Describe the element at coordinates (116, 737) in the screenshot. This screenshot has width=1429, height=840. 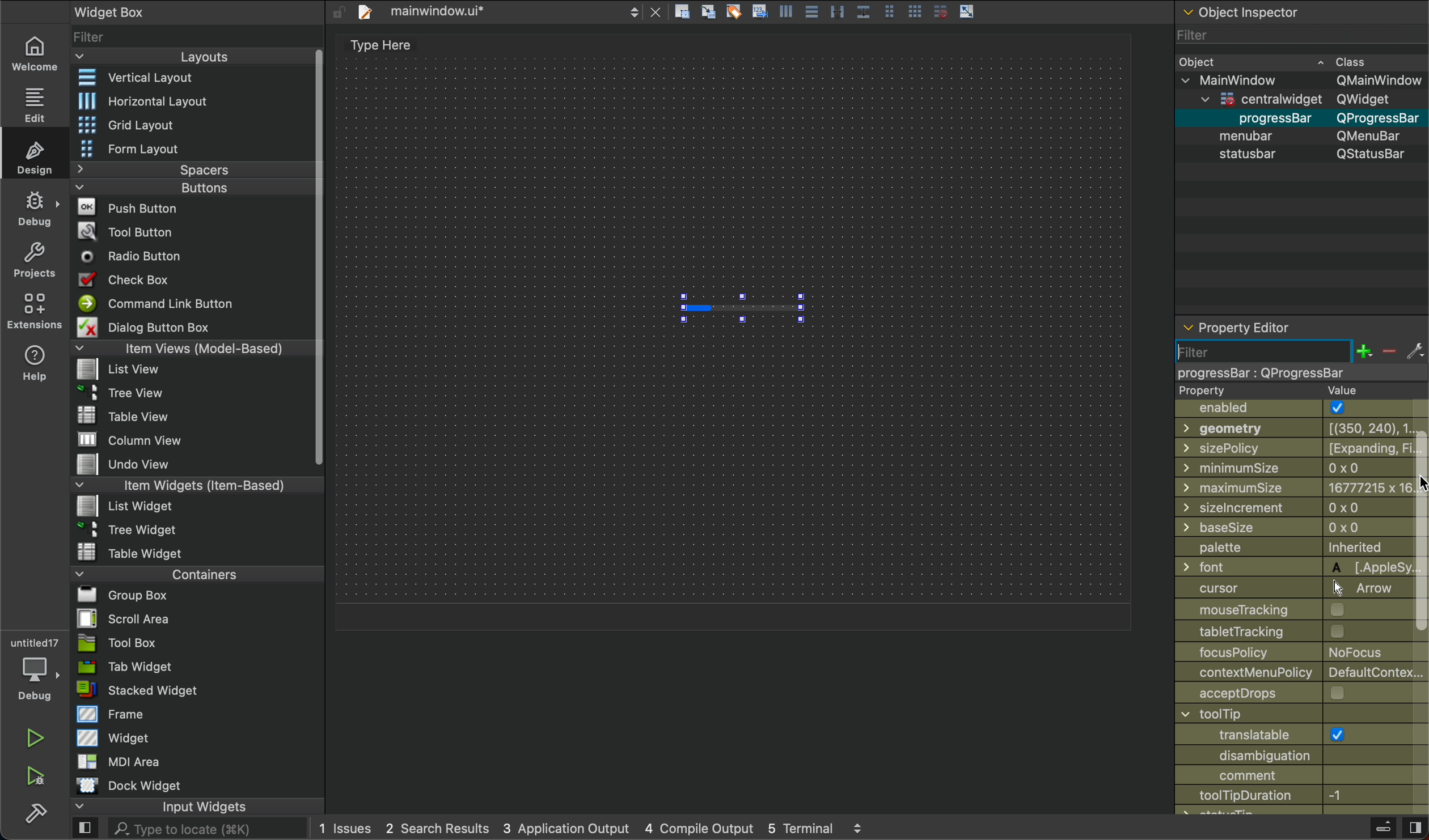
I see `Widget` at that location.